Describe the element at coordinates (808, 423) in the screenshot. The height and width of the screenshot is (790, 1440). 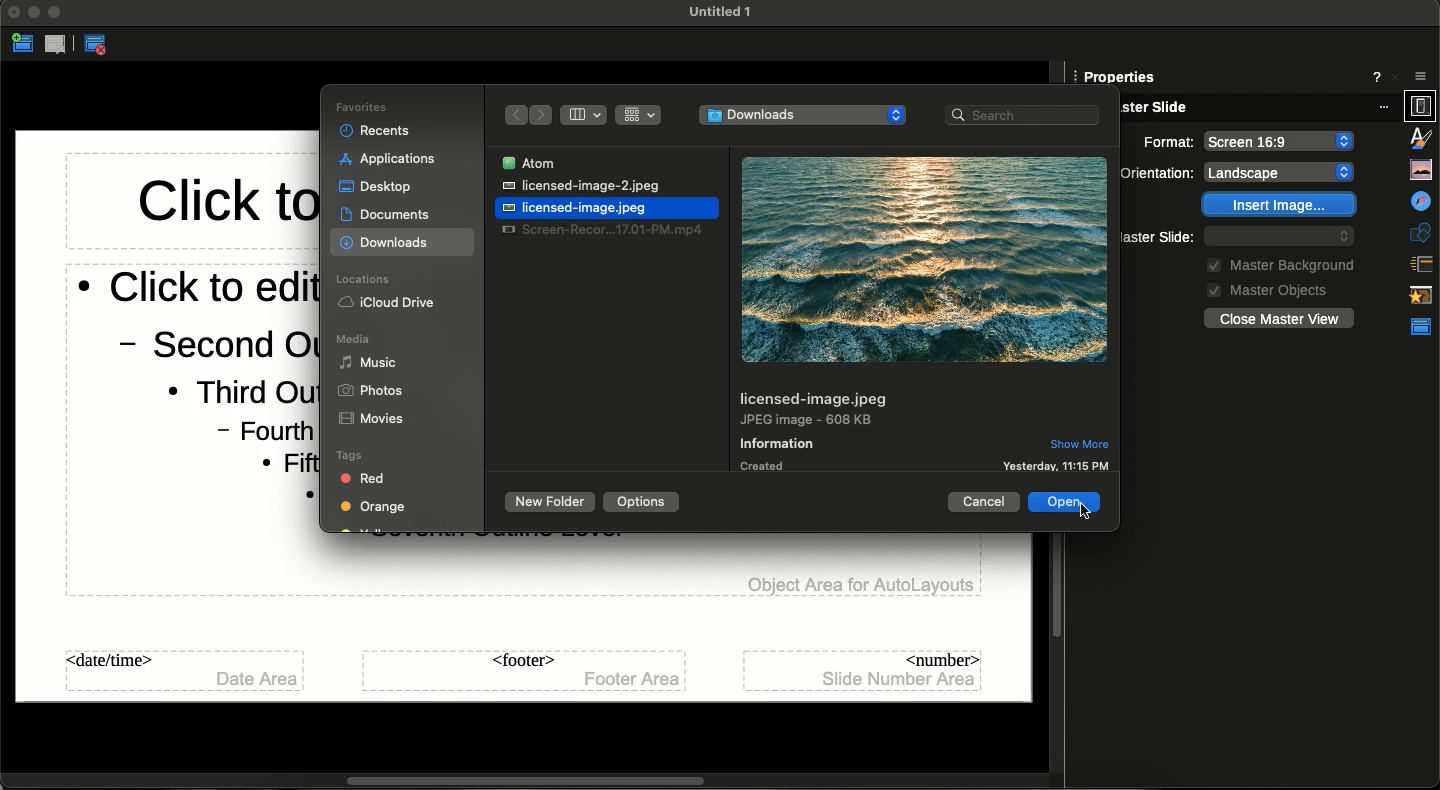
I see `File format` at that location.